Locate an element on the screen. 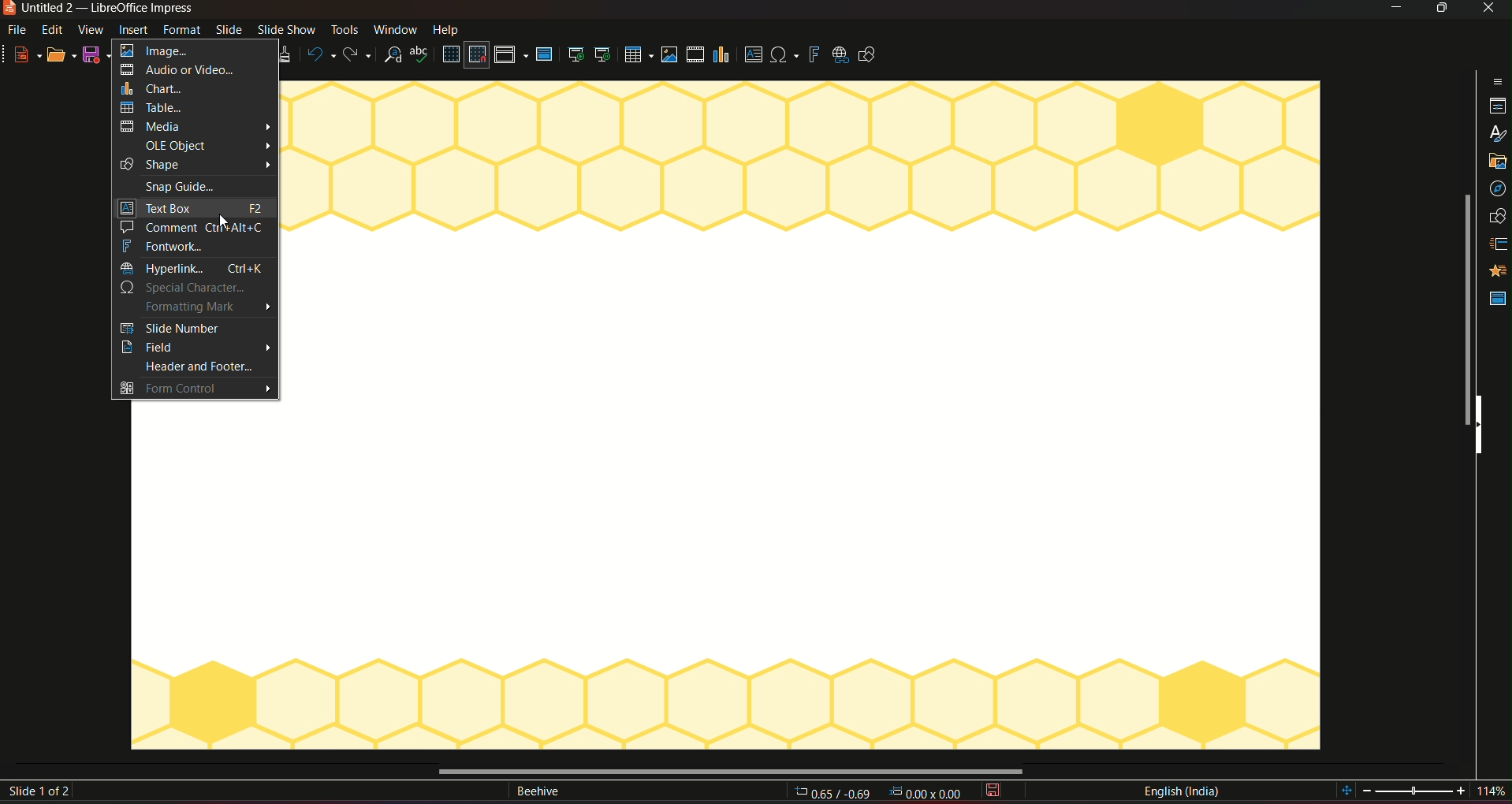  insert chart is located at coordinates (723, 54).